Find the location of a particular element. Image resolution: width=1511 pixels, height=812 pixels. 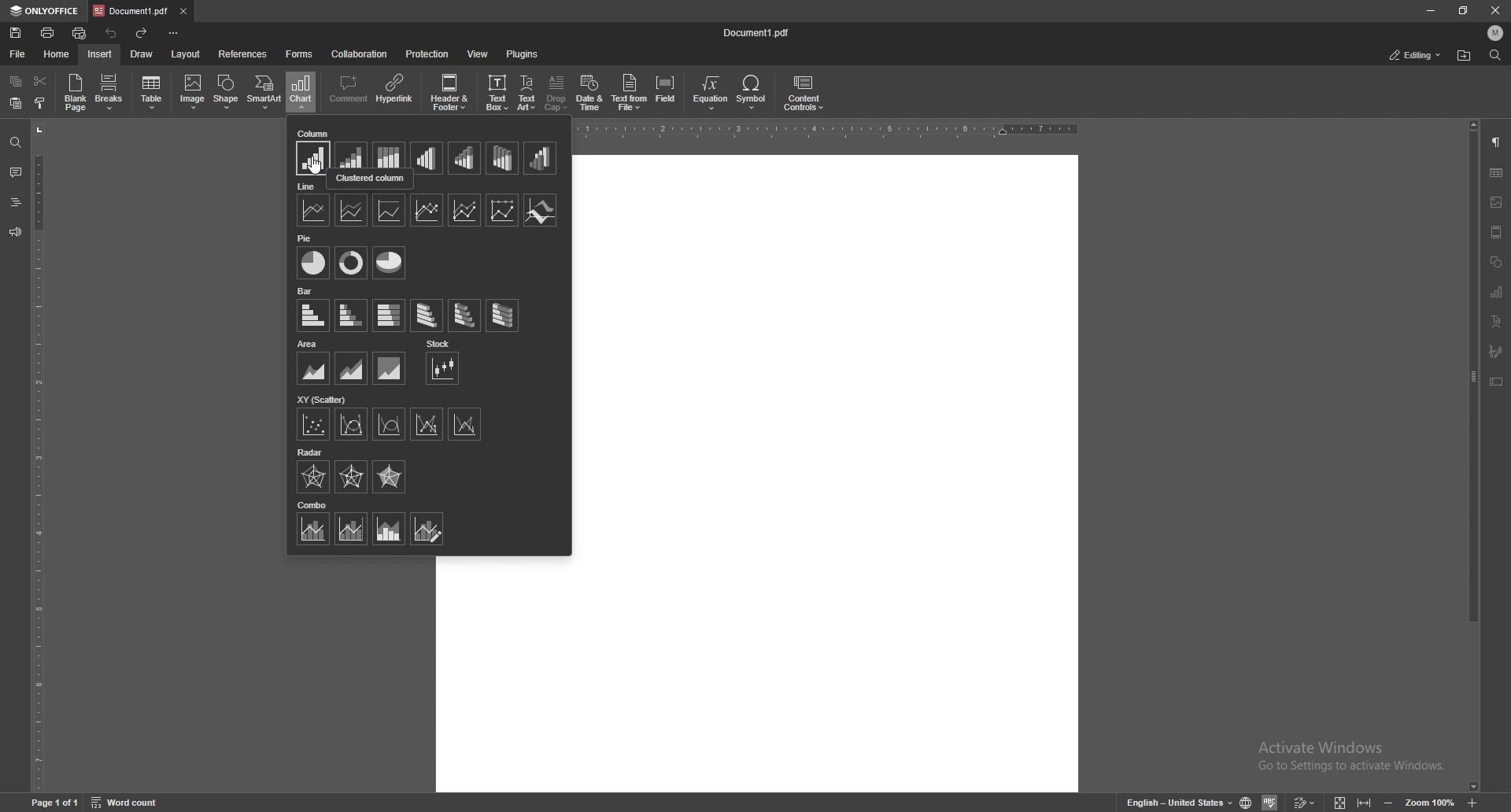

scatter with straight lines is located at coordinates (464, 423).